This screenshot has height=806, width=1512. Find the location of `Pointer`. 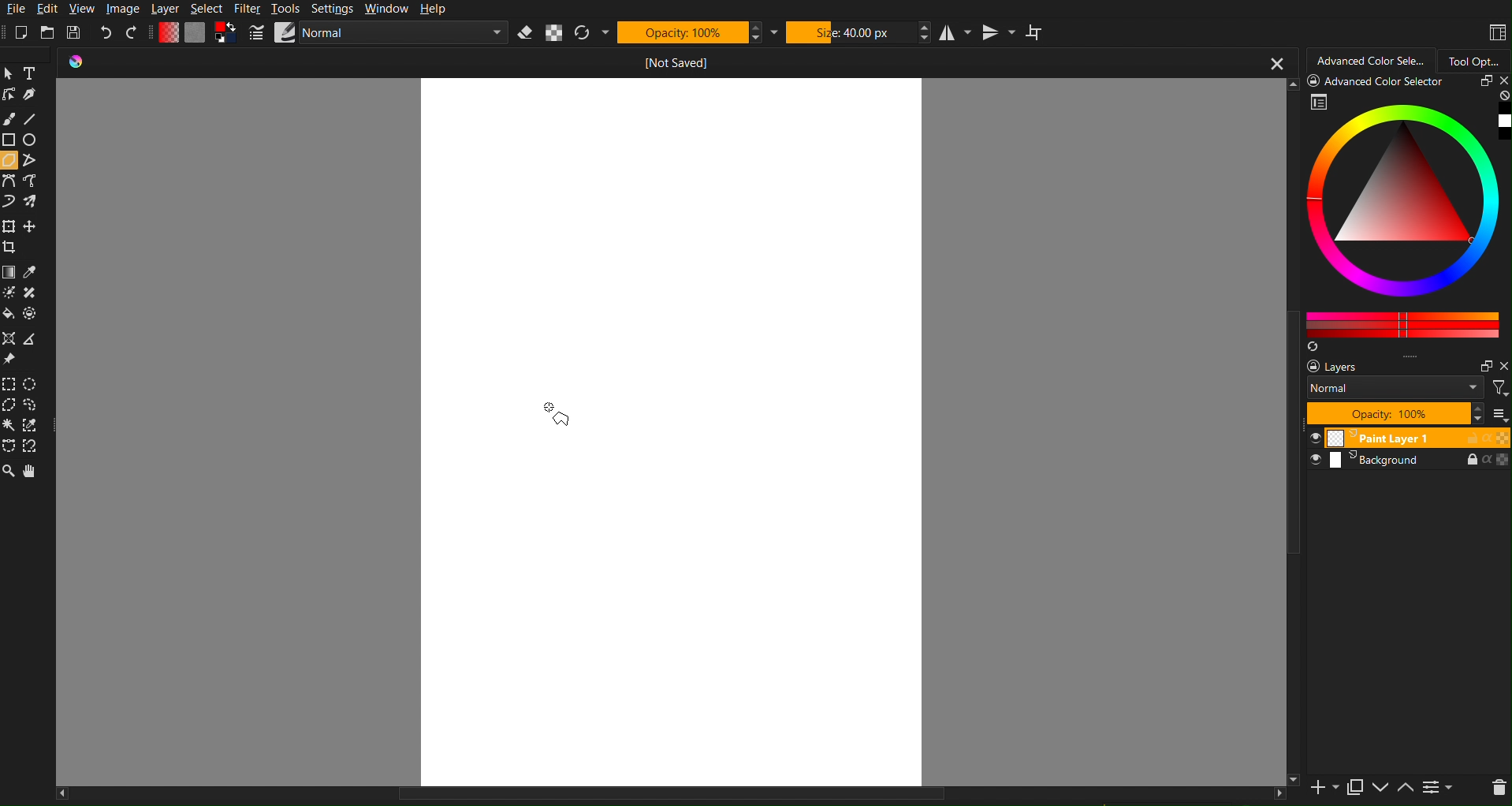

Pointer is located at coordinates (9, 73).